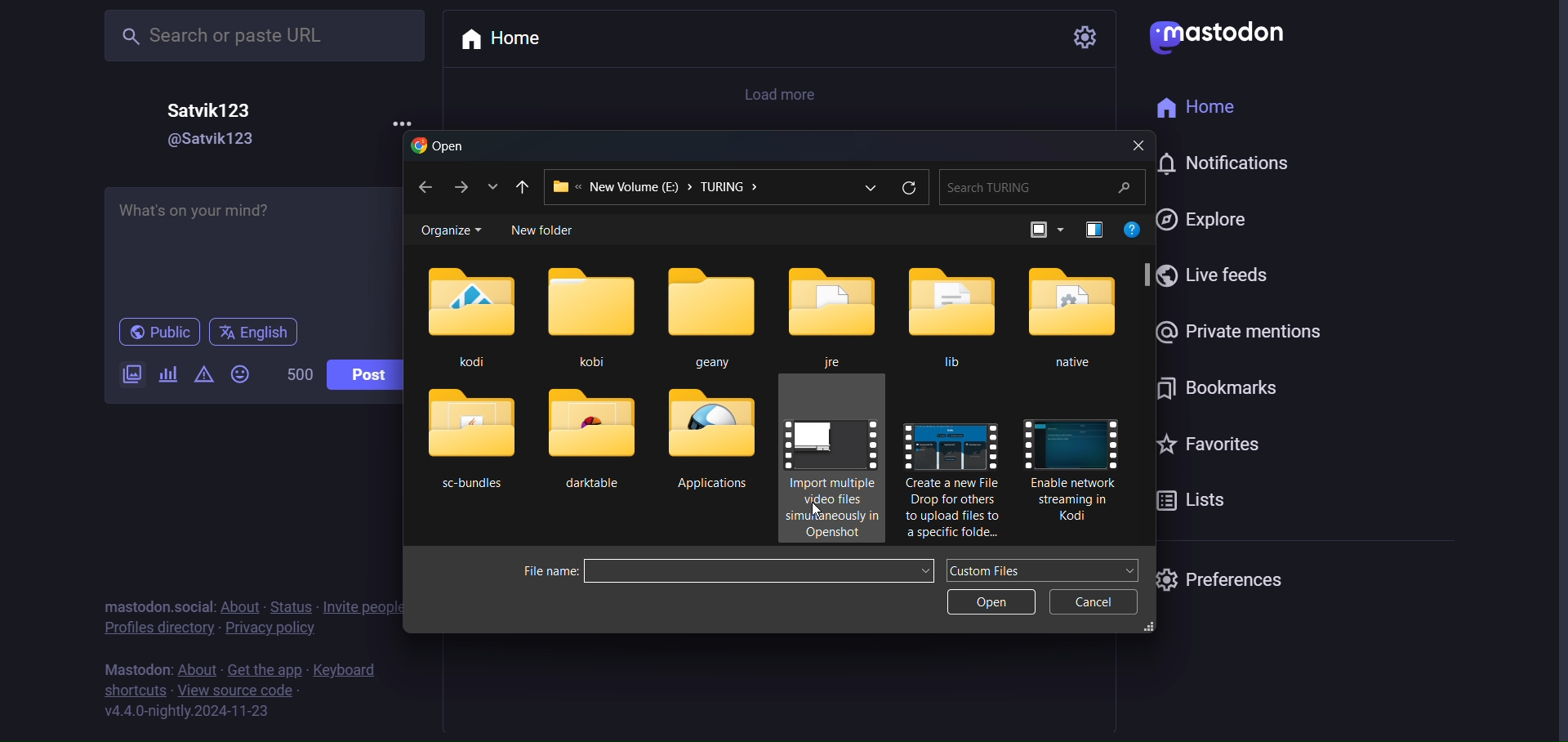 Image resolution: width=1568 pixels, height=742 pixels. I want to click on What's on your mind?, so click(247, 244).